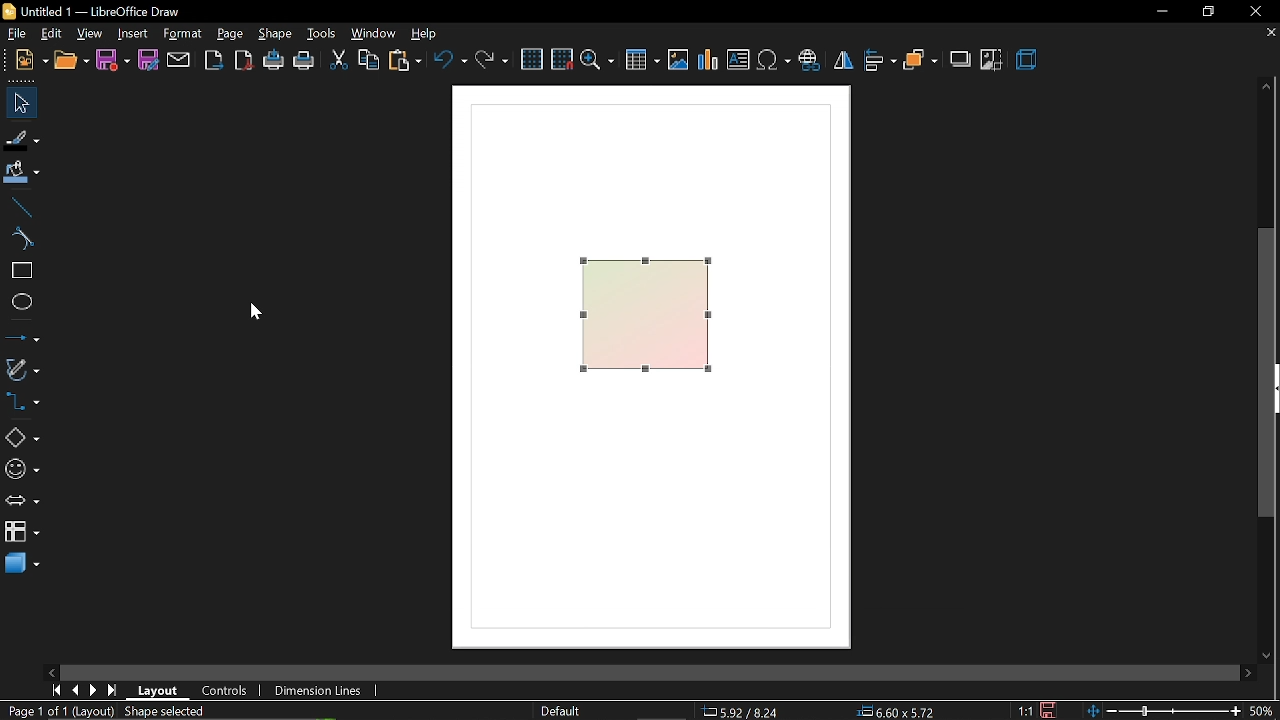 This screenshot has width=1280, height=720. Describe the element at coordinates (1260, 11) in the screenshot. I see `close` at that location.